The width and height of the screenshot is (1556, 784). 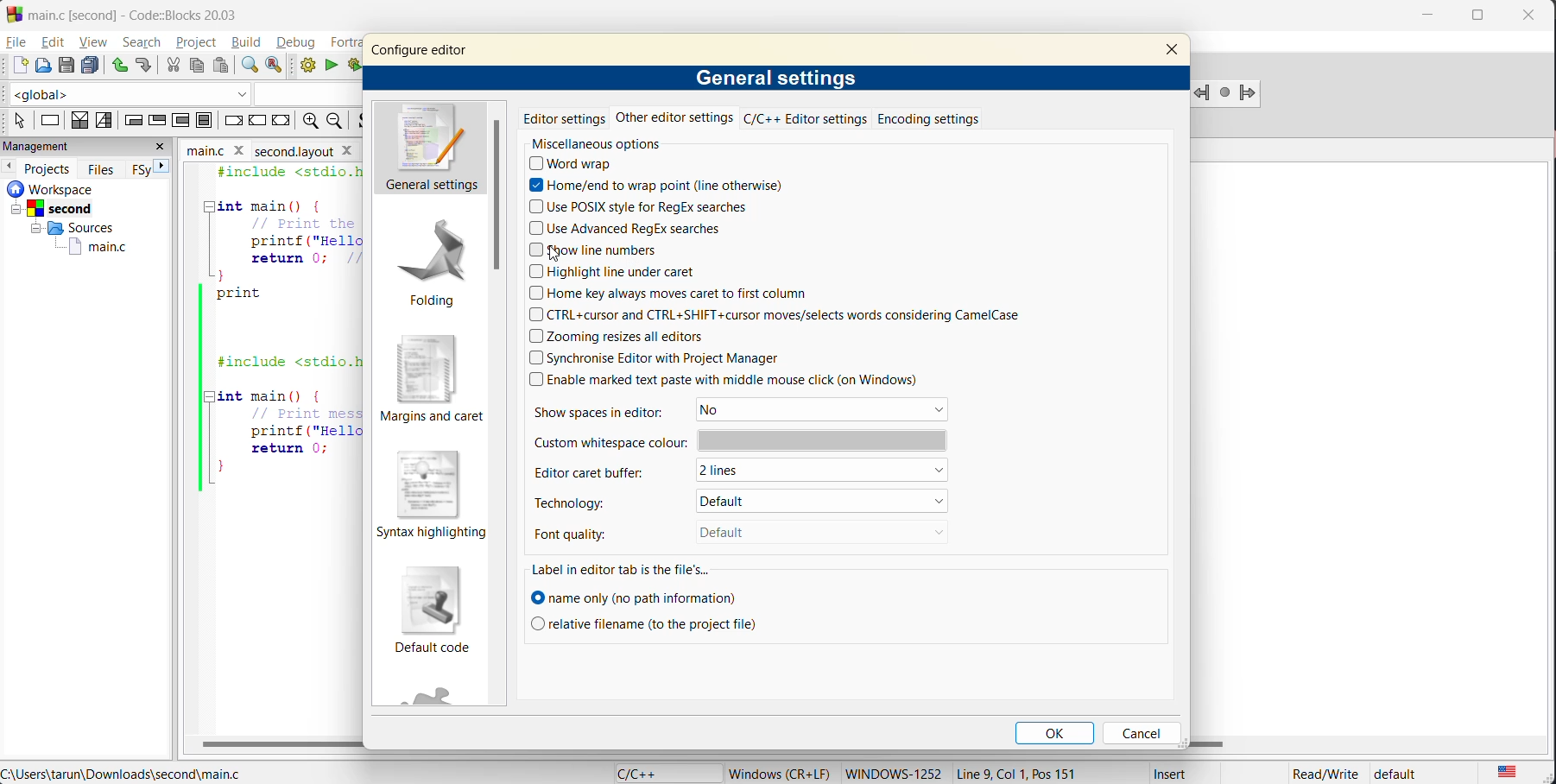 What do you see at coordinates (433, 379) in the screenshot?
I see `margins and caret` at bounding box center [433, 379].